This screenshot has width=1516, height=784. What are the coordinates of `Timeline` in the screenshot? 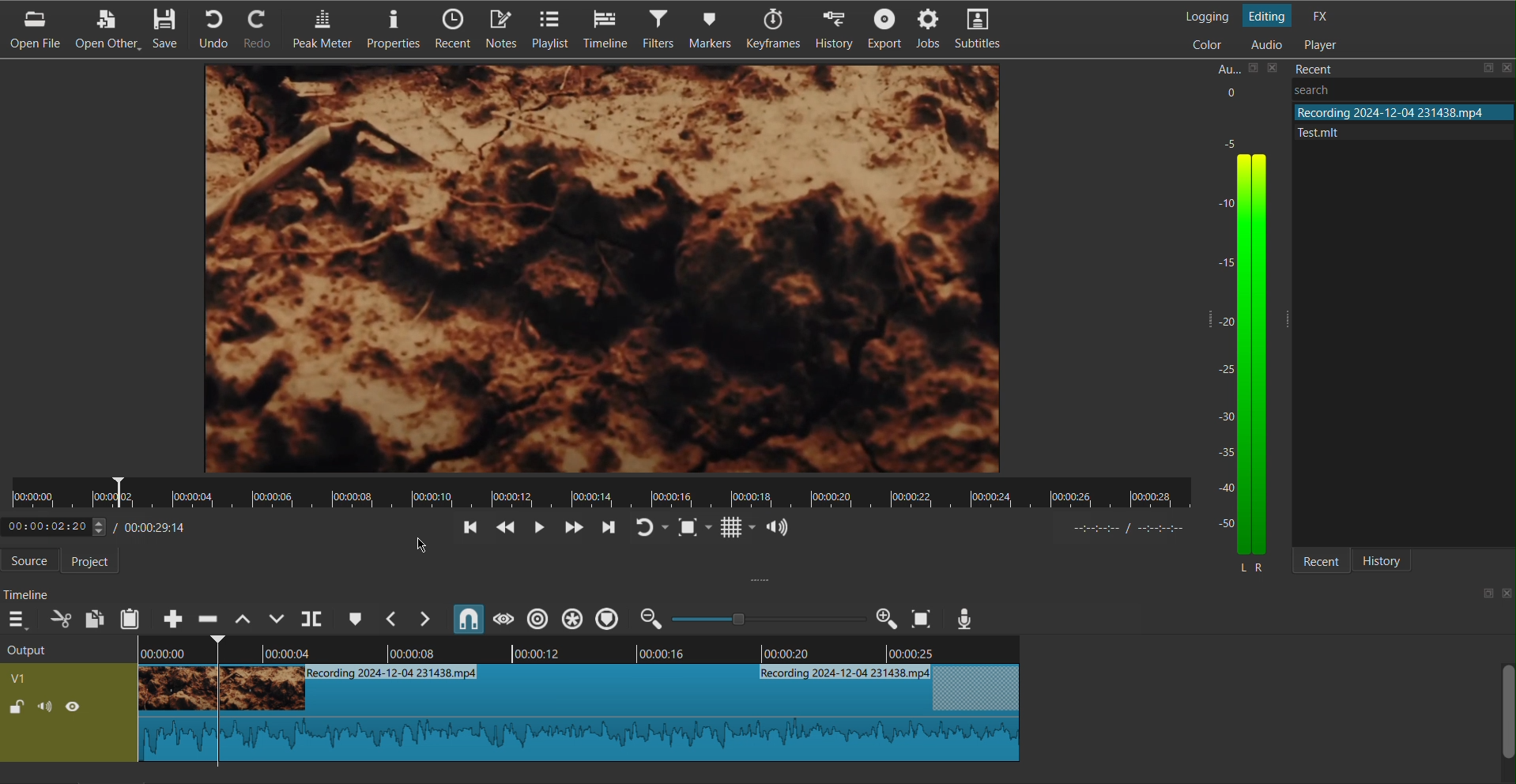 It's located at (605, 30).